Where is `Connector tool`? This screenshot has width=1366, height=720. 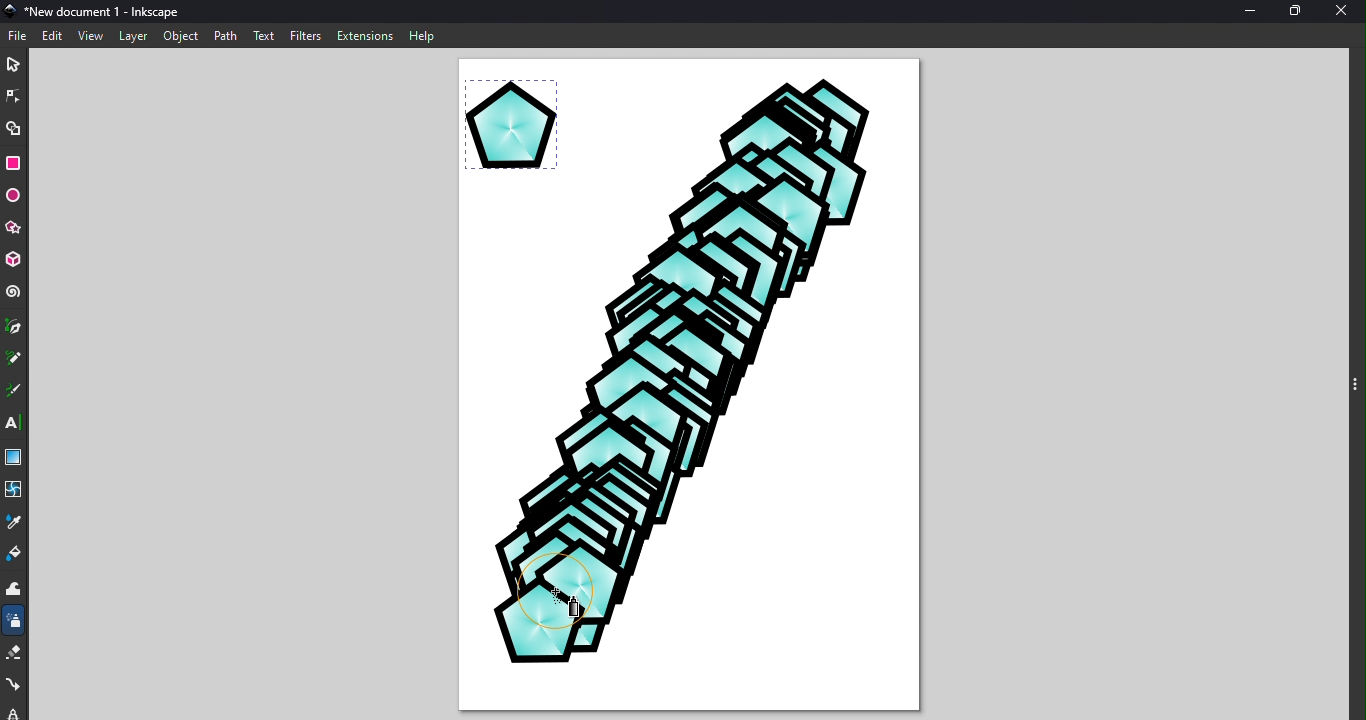
Connector tool is located at coordinates (16, 682).